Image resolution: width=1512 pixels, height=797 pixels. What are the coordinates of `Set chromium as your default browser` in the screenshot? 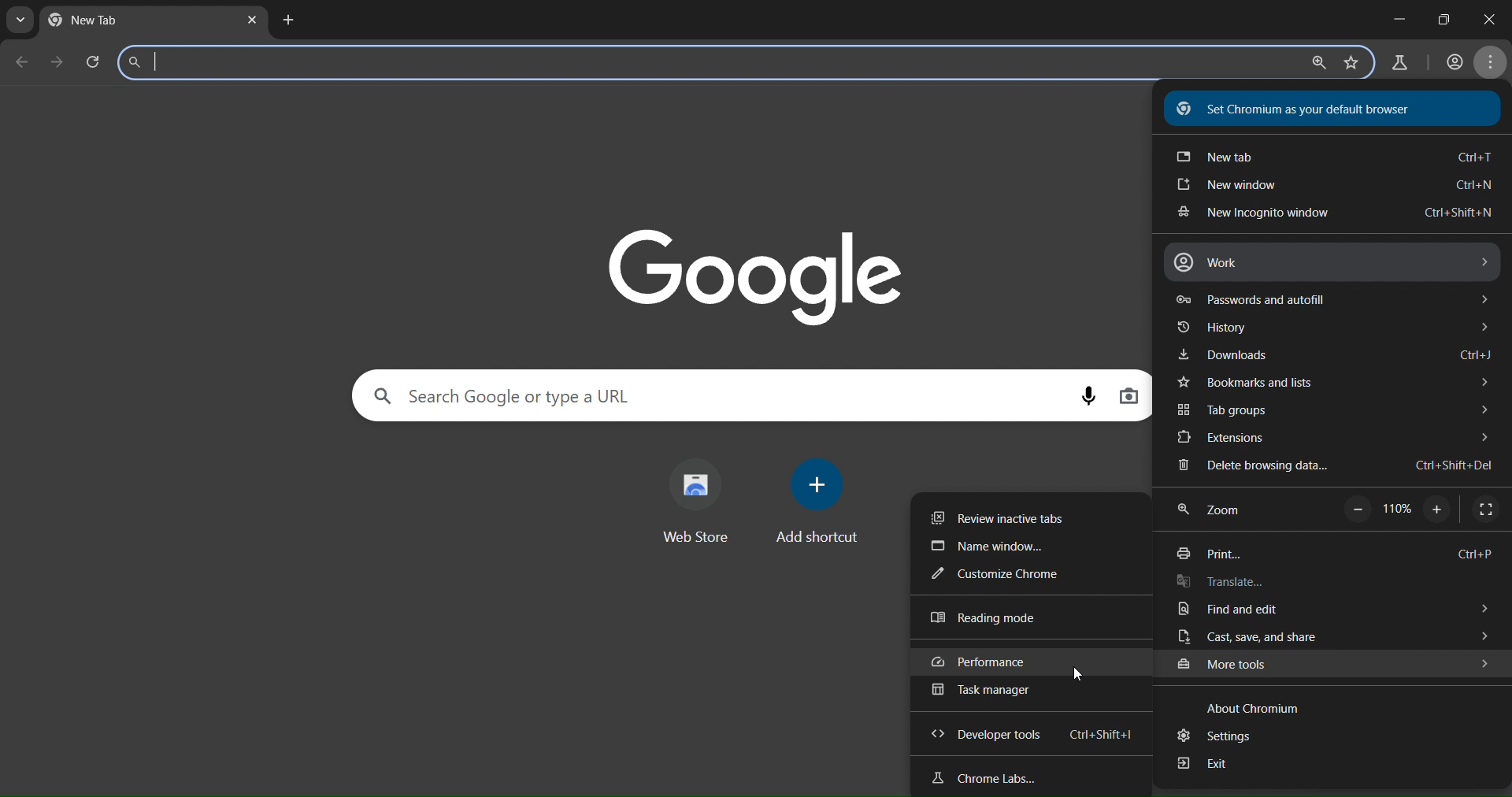 It's located at (1303, 109).